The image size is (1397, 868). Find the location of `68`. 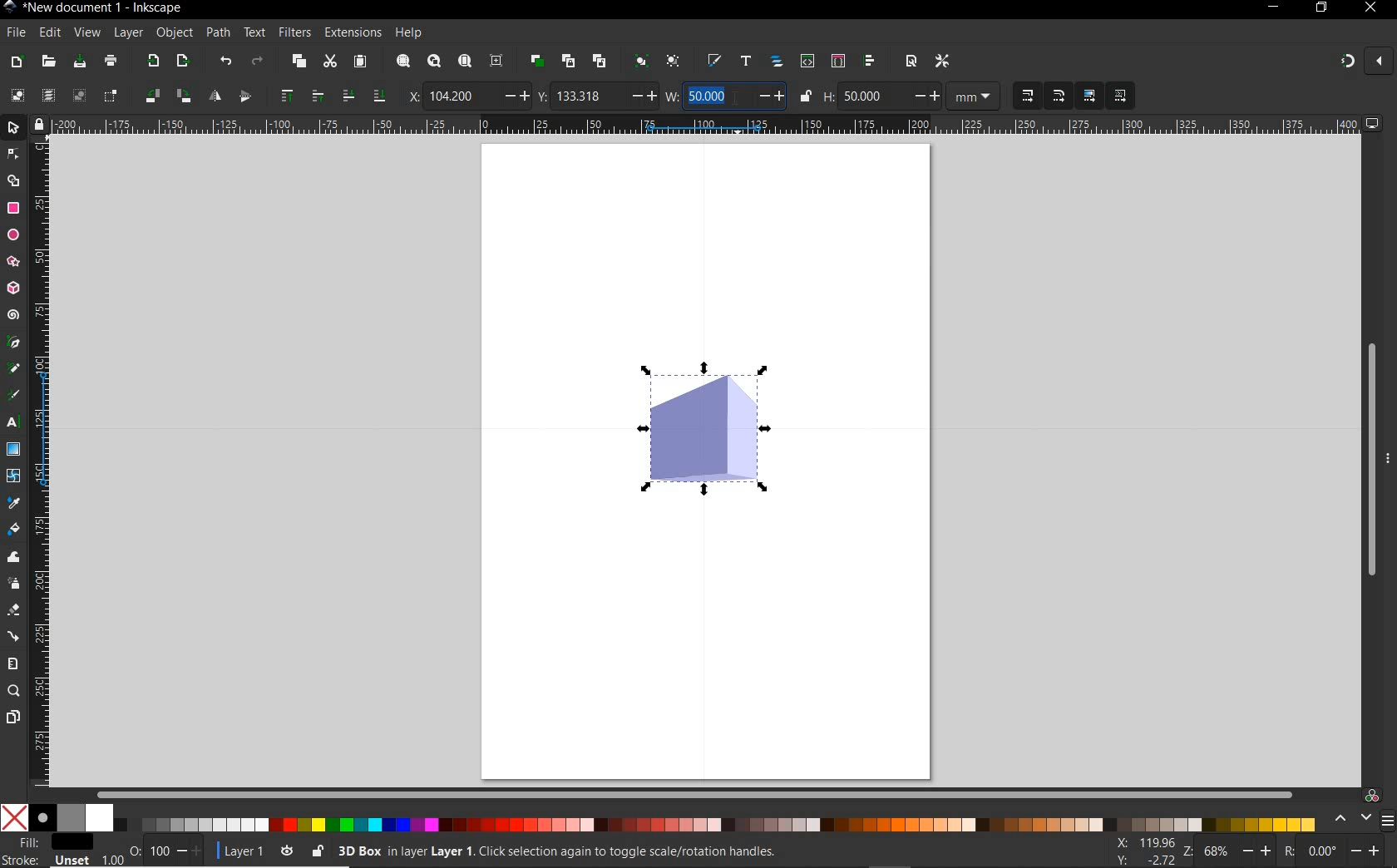

68 is located at coordinates (1218, 853).